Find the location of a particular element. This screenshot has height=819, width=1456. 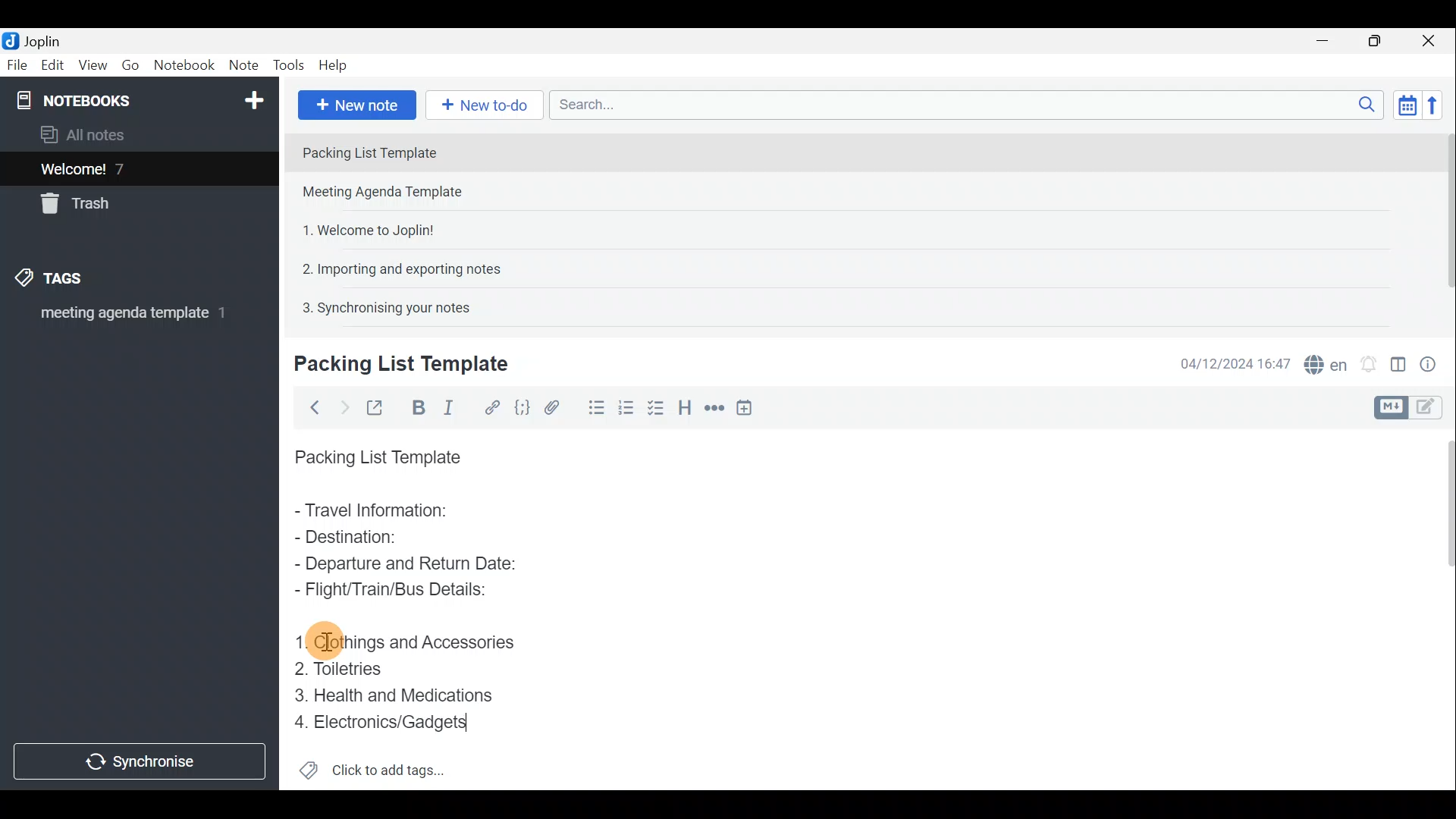

cursor is located at coordinates (325, 642).